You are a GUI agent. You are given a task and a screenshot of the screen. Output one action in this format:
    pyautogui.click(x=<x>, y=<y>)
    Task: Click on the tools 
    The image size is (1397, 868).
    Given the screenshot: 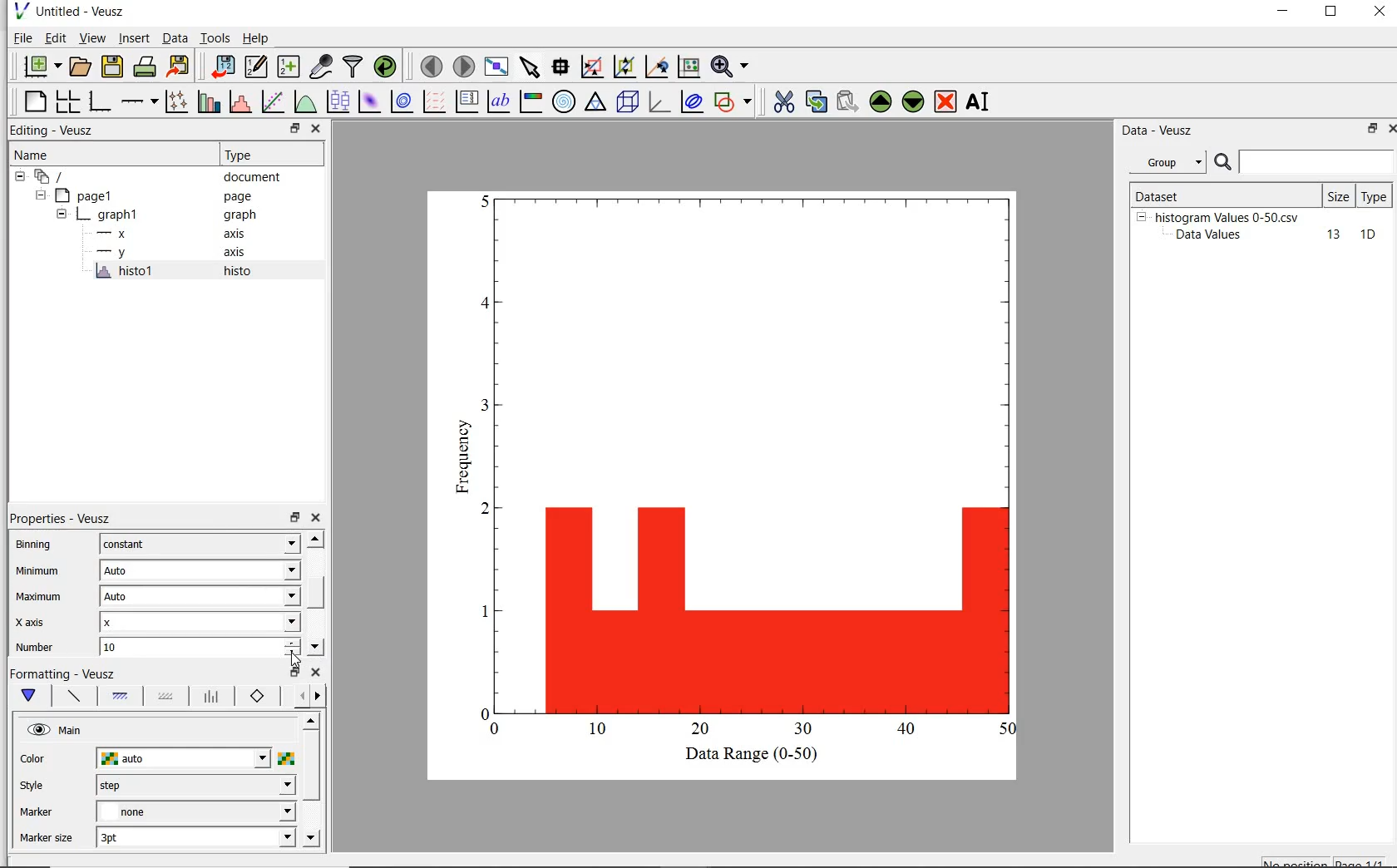 What is the action you would take?
    pyautogui.click(x=216, y=37)
    